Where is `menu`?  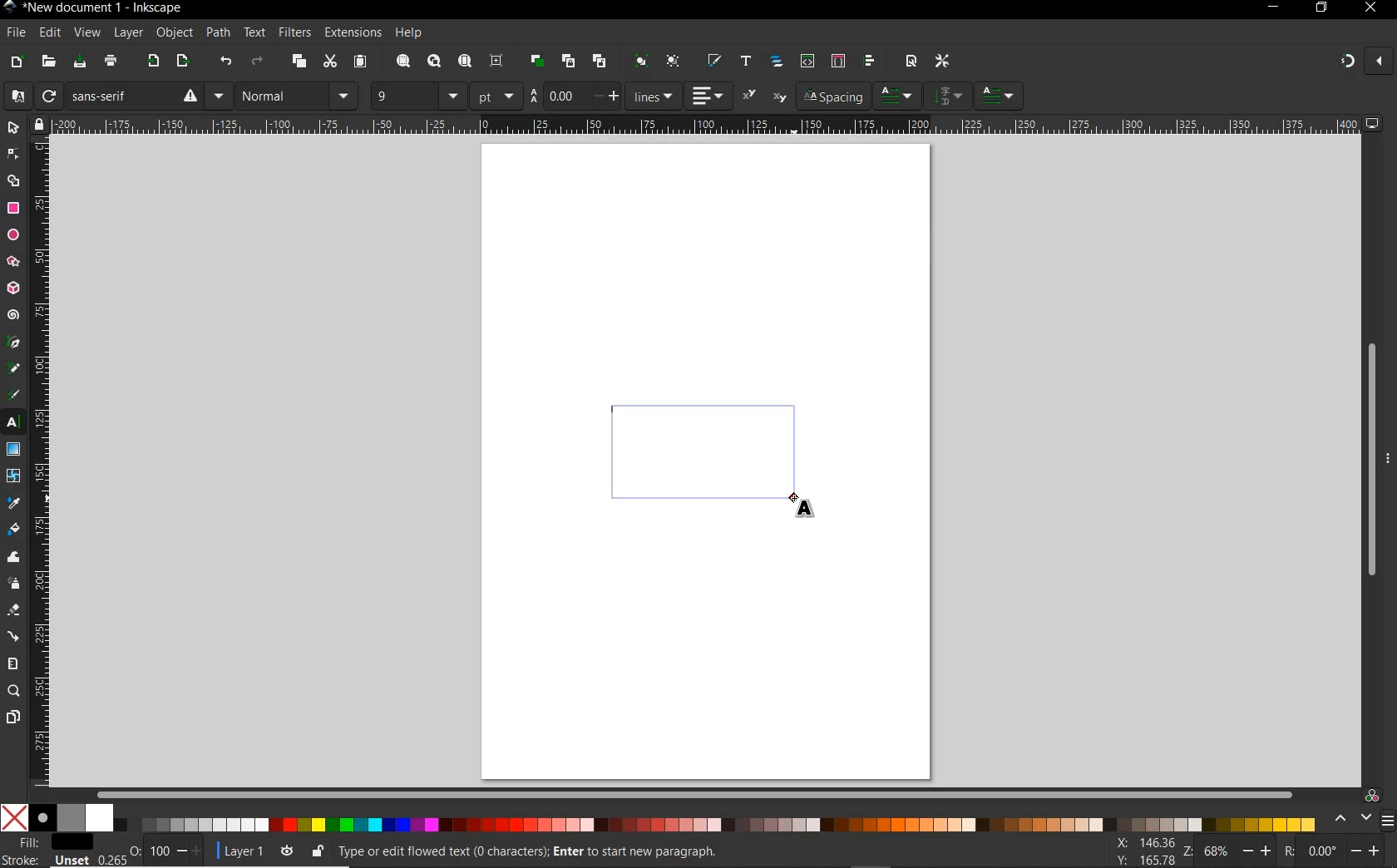
menu is located at coordinates (949, 95).